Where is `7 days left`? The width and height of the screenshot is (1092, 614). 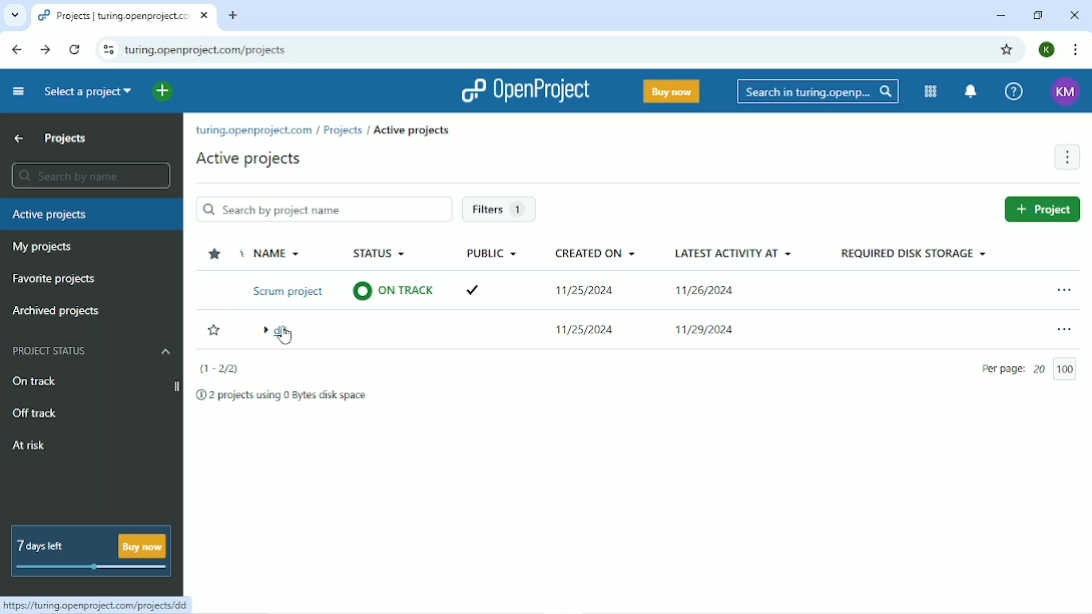 7 days left is located at coordinates (89, 549).